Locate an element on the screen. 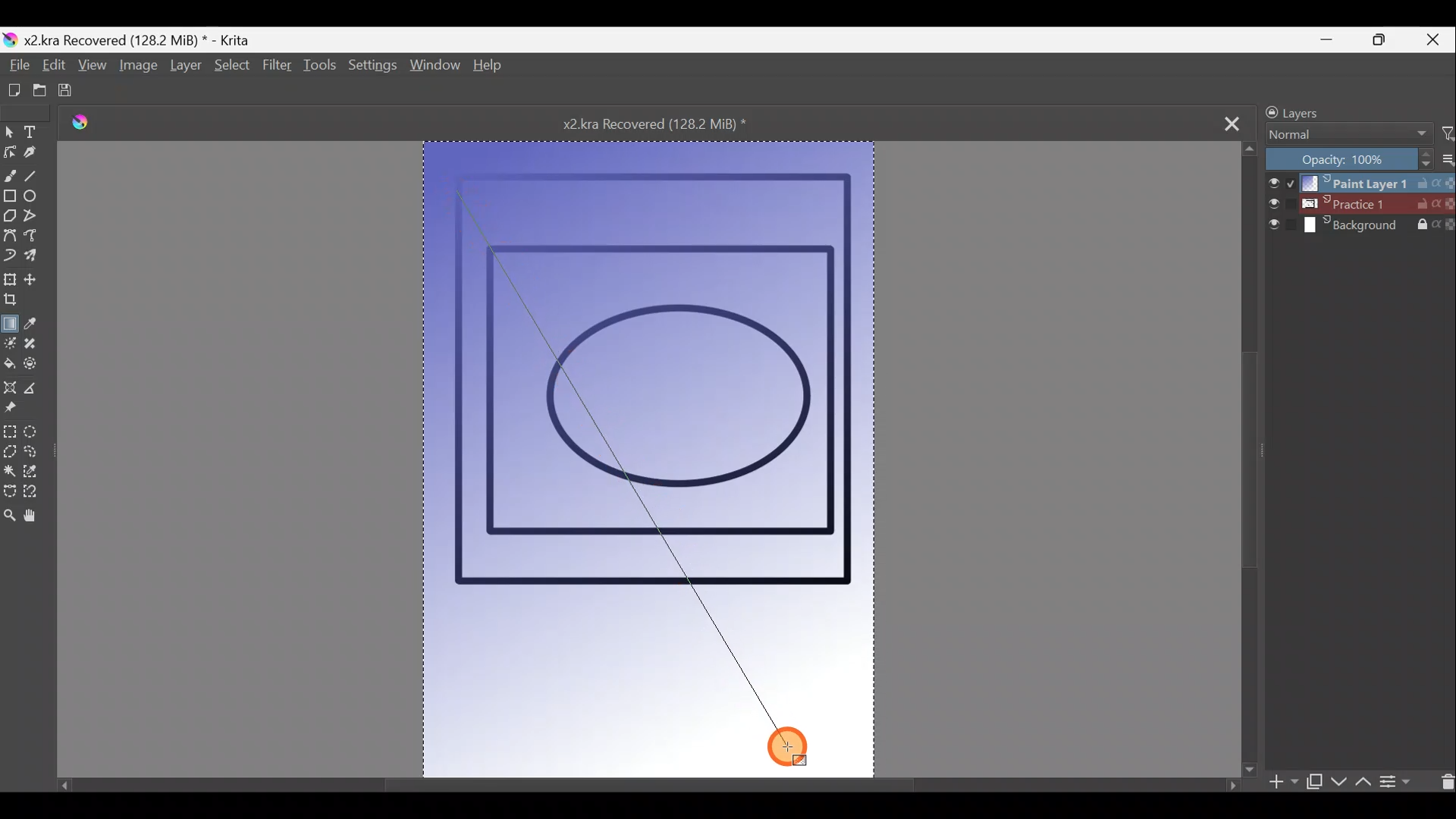  Minimise is located at coordinates (1334, 39).